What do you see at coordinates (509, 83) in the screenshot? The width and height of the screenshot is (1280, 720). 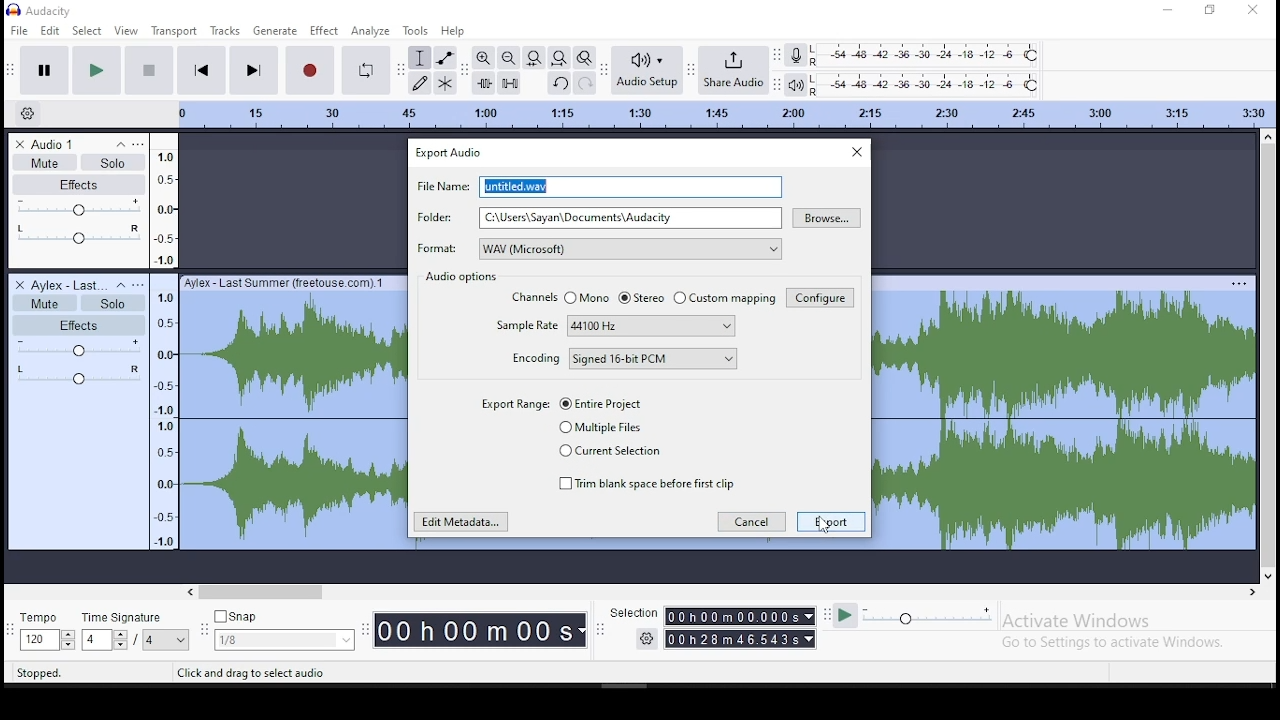 I see `silence selected audio` at bounding box center [509, 83].